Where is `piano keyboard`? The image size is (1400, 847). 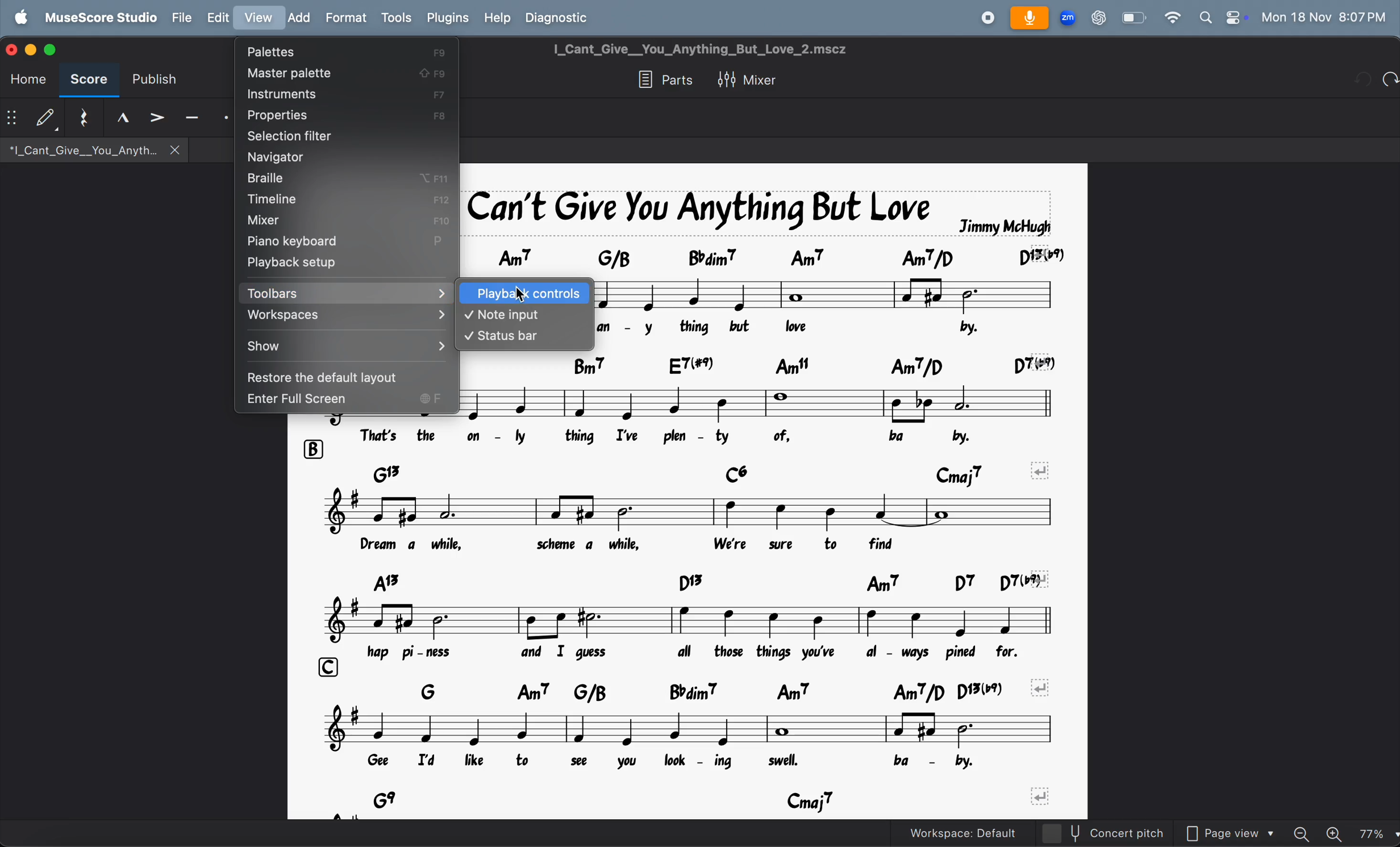
piano keyboard is located at coordinates (346, 242).